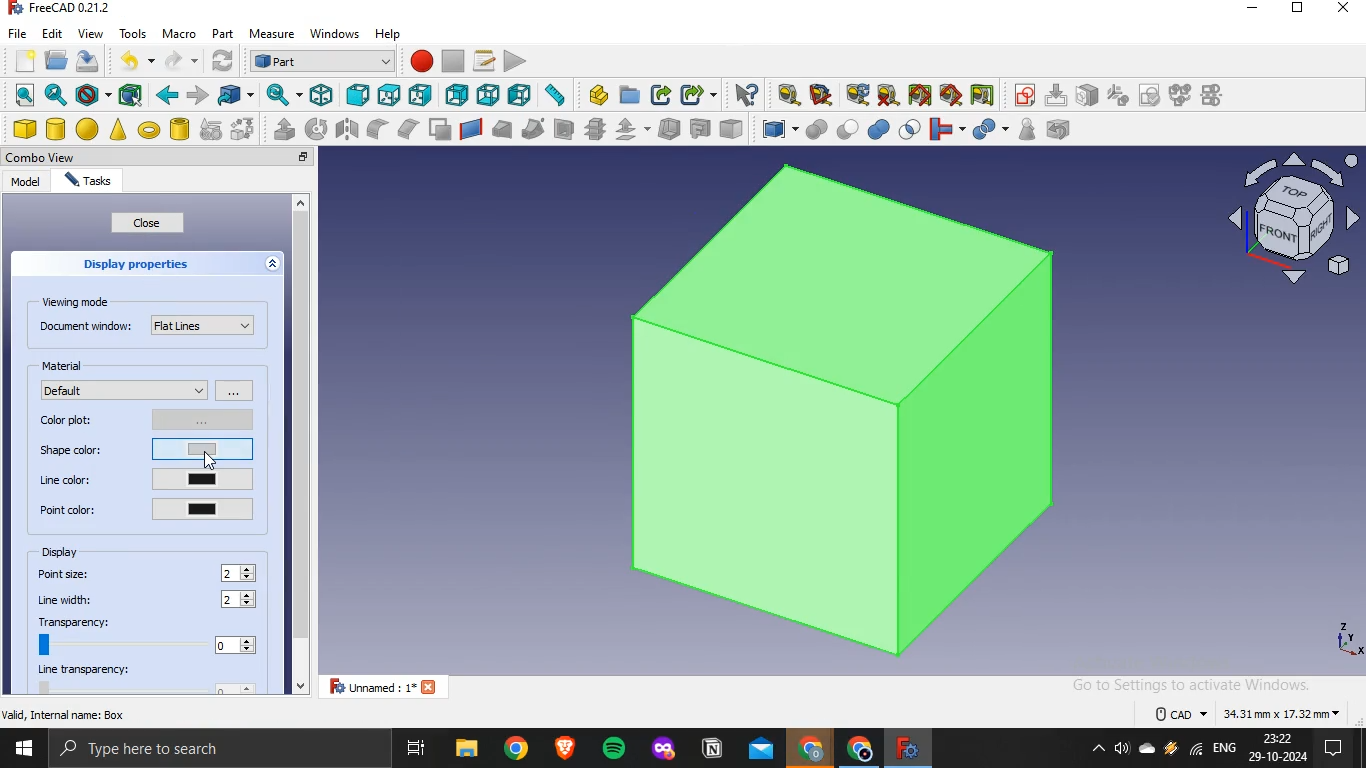 The height and width of the screenshot is (768, 1366). I want to click on point size, so click(66, 573).